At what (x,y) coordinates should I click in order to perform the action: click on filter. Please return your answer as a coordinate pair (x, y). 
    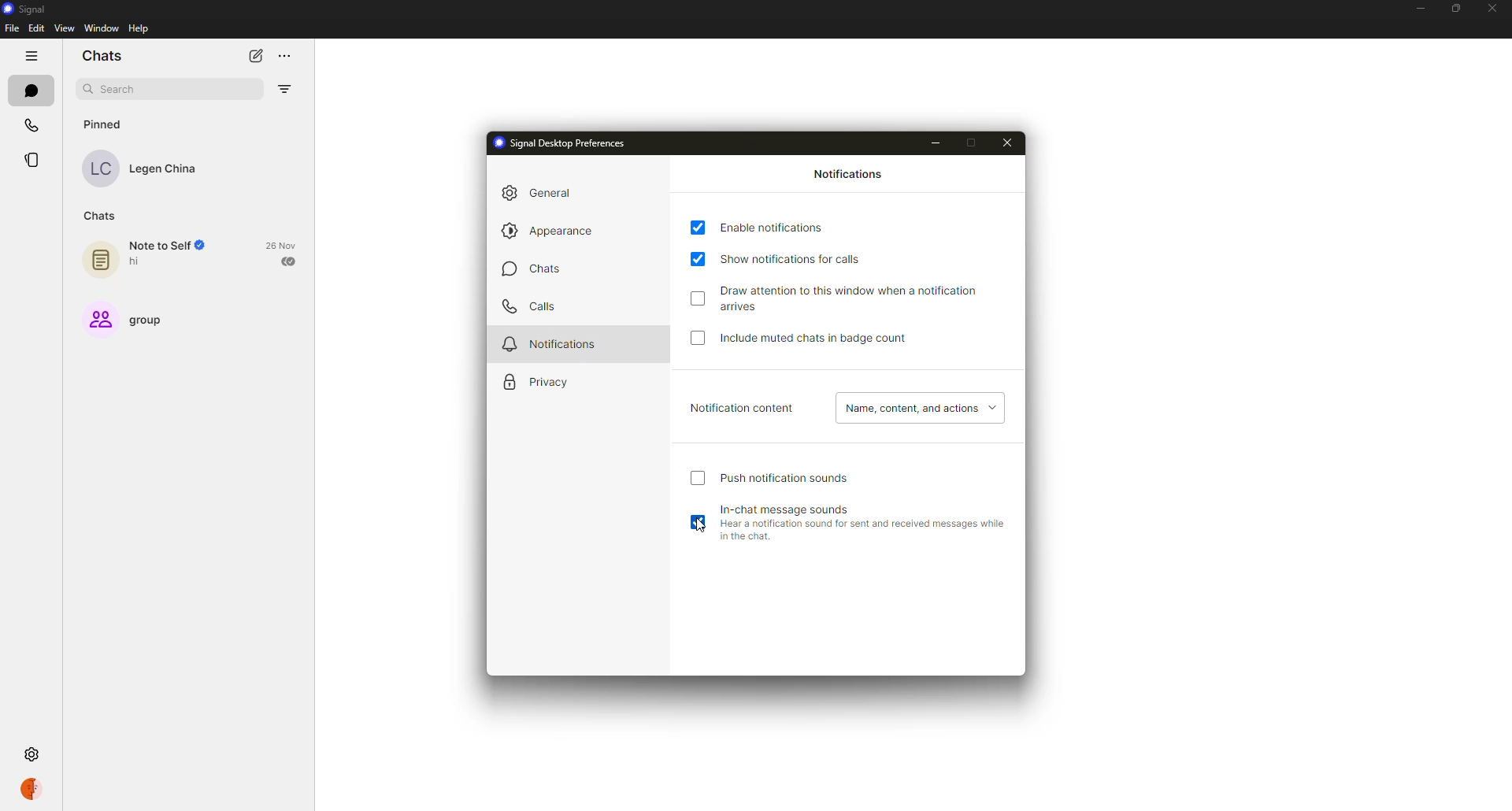
    Looking at the image, I should click on (286, 88).